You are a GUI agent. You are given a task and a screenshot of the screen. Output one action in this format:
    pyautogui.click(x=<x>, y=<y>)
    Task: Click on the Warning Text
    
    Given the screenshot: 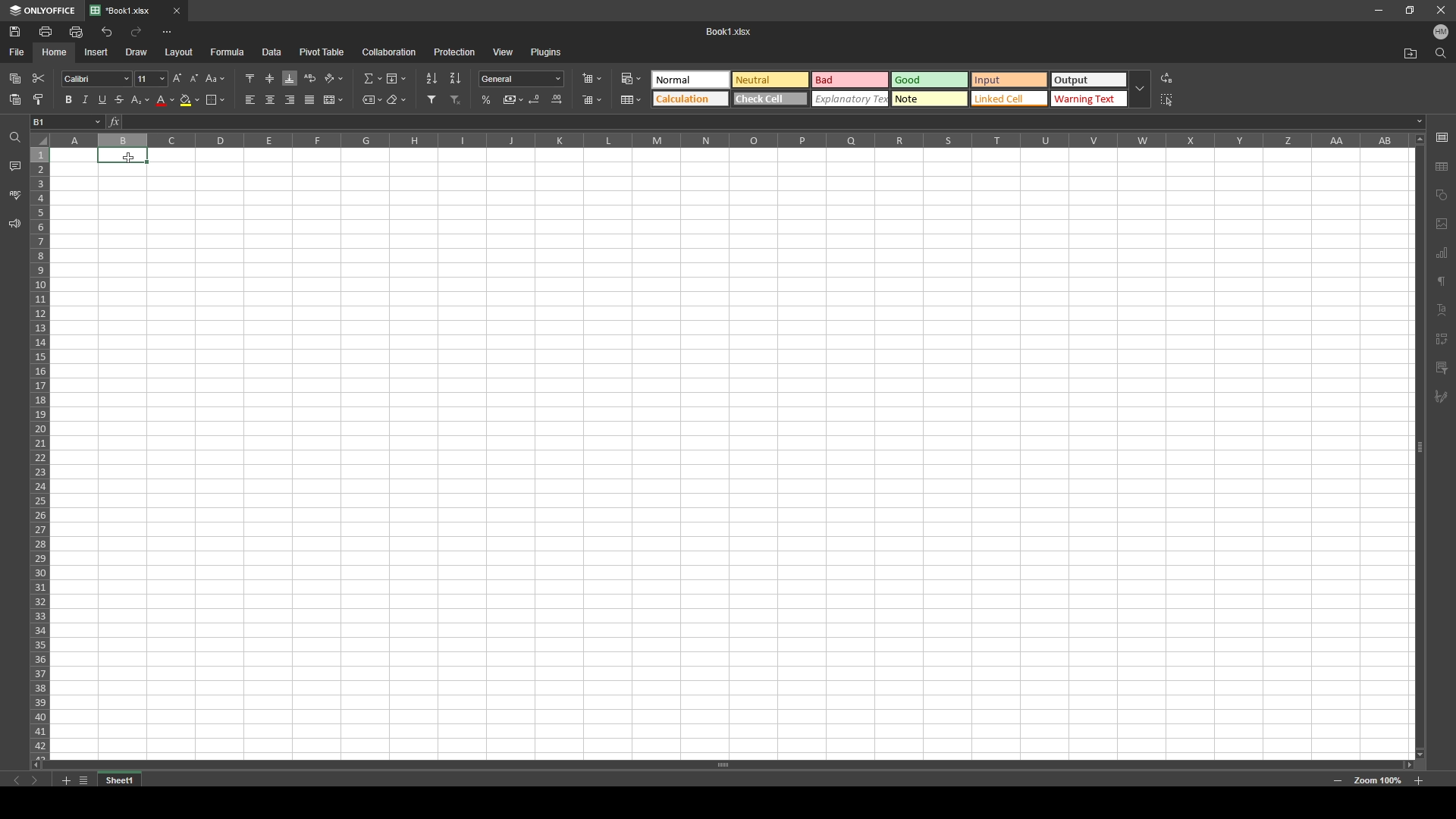 What is the action you would take?
    pyautogui.click(x=1089, y=100)
    